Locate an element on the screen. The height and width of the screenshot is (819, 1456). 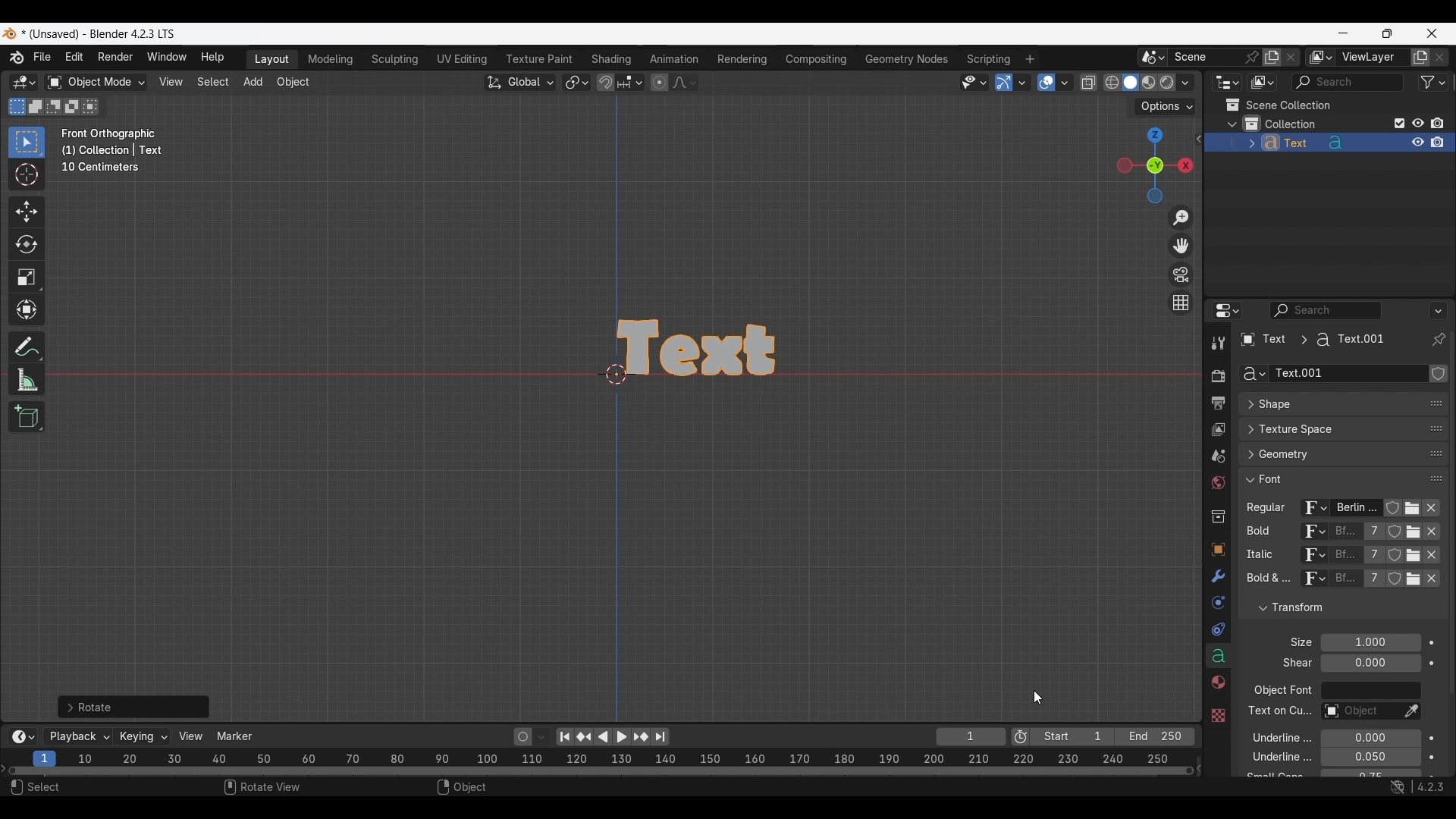
Eyedropper data-block is located at coordinates (1410, 712).